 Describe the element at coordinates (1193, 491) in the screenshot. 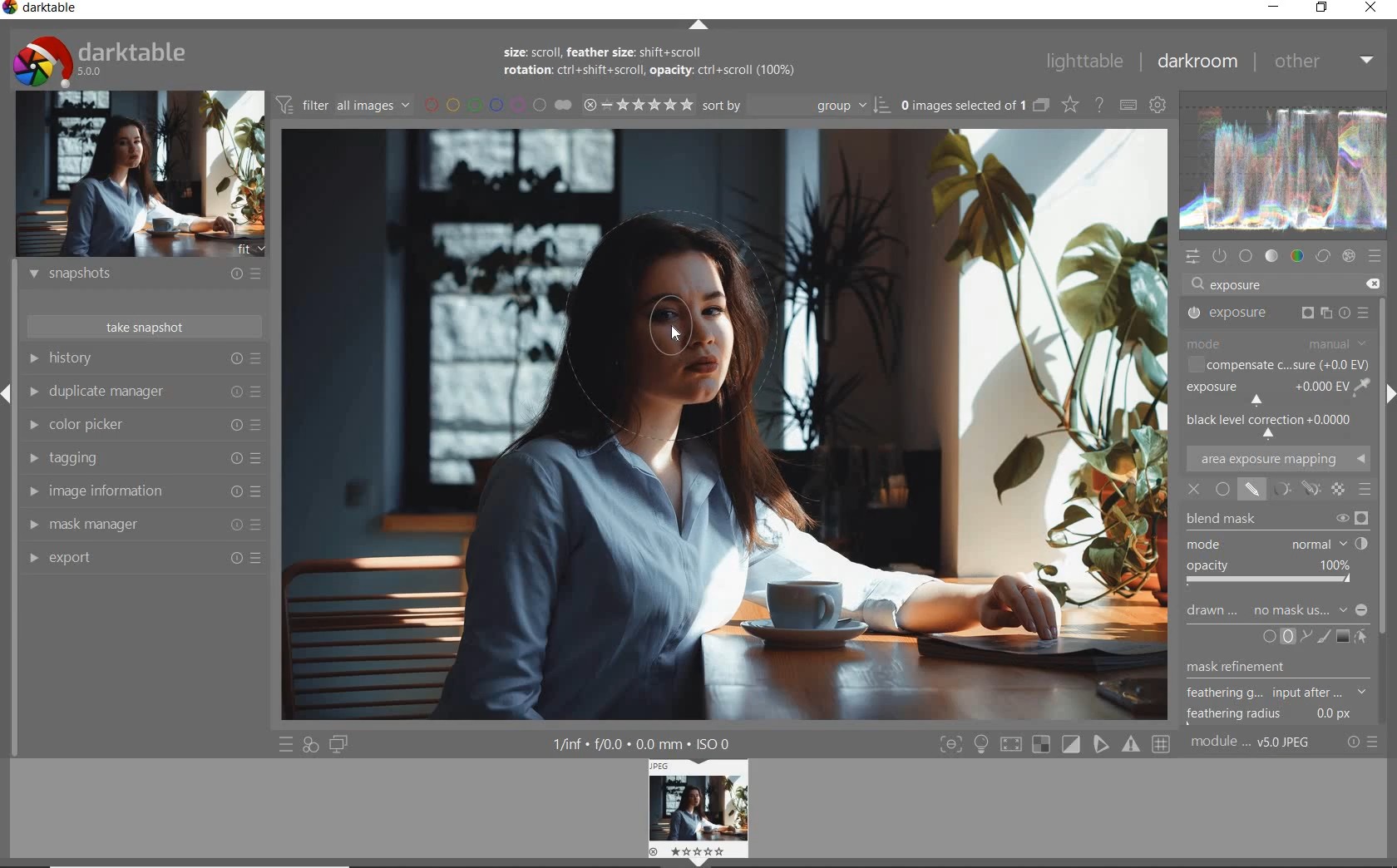

I see `OFF` at that location.